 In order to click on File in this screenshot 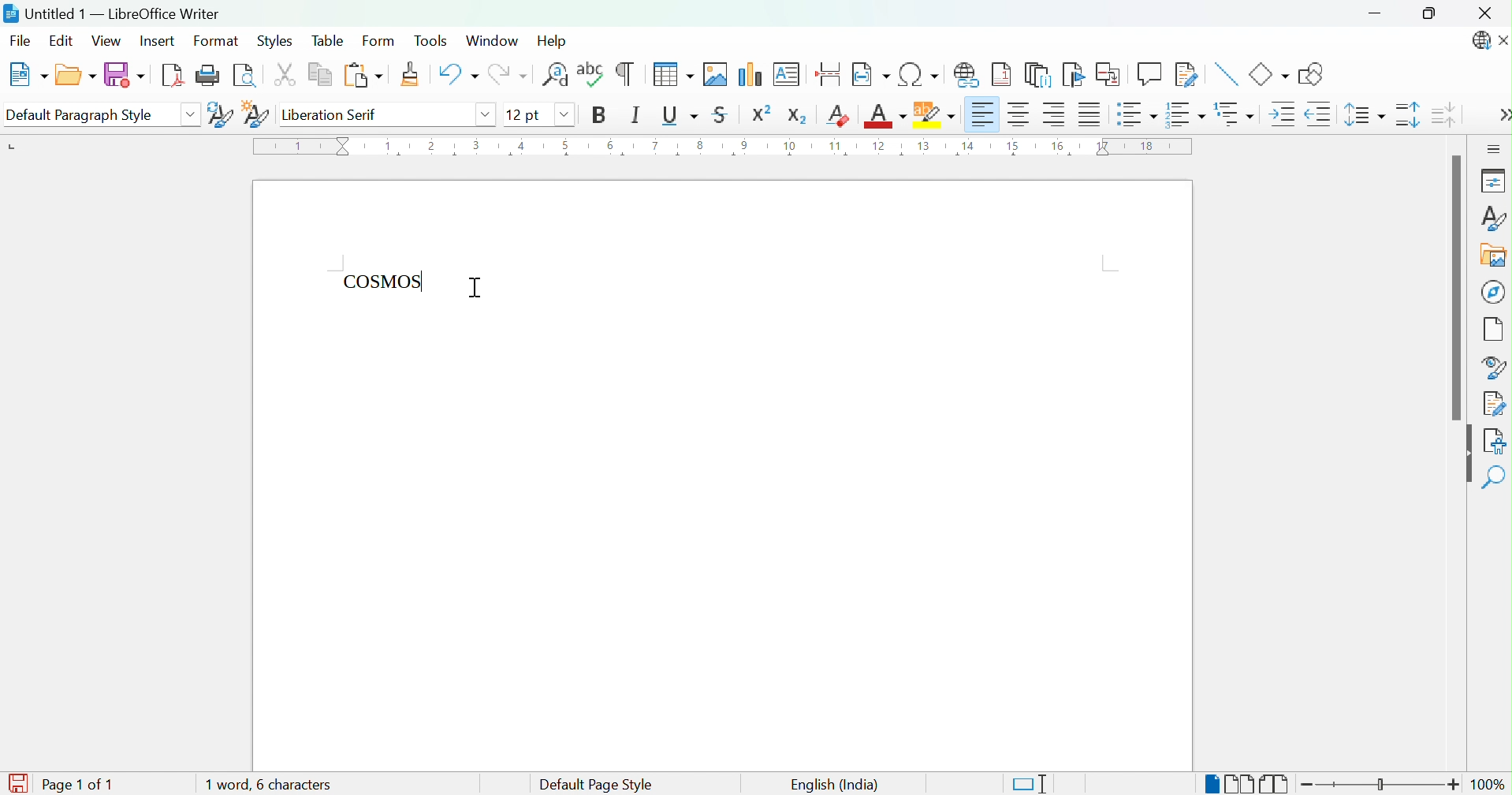, I will do `click(21, 39)`.